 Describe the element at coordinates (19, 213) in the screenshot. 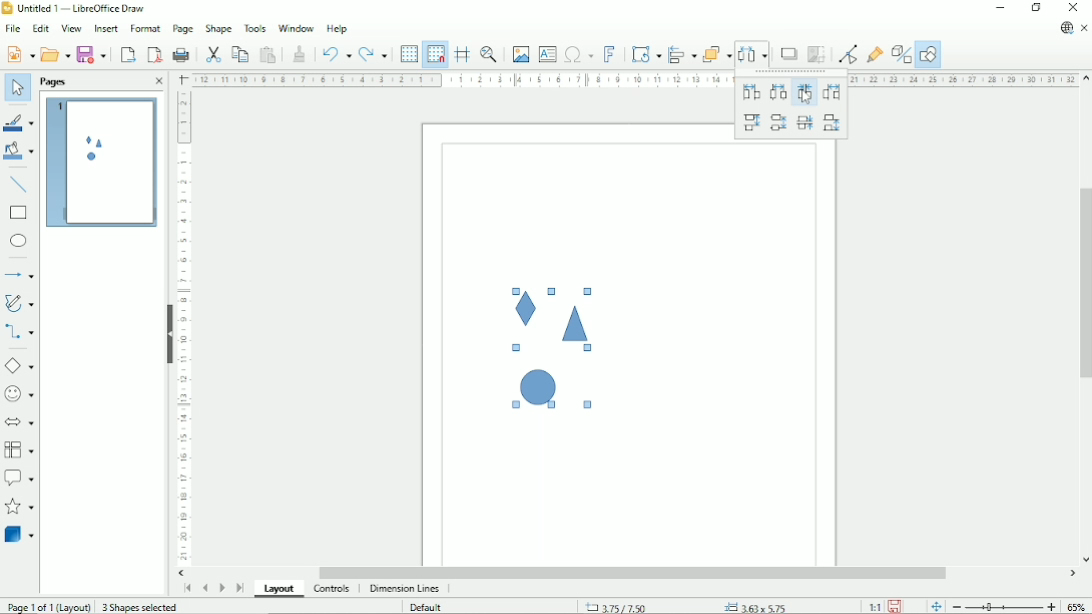

I see `Rectangle` at that location.